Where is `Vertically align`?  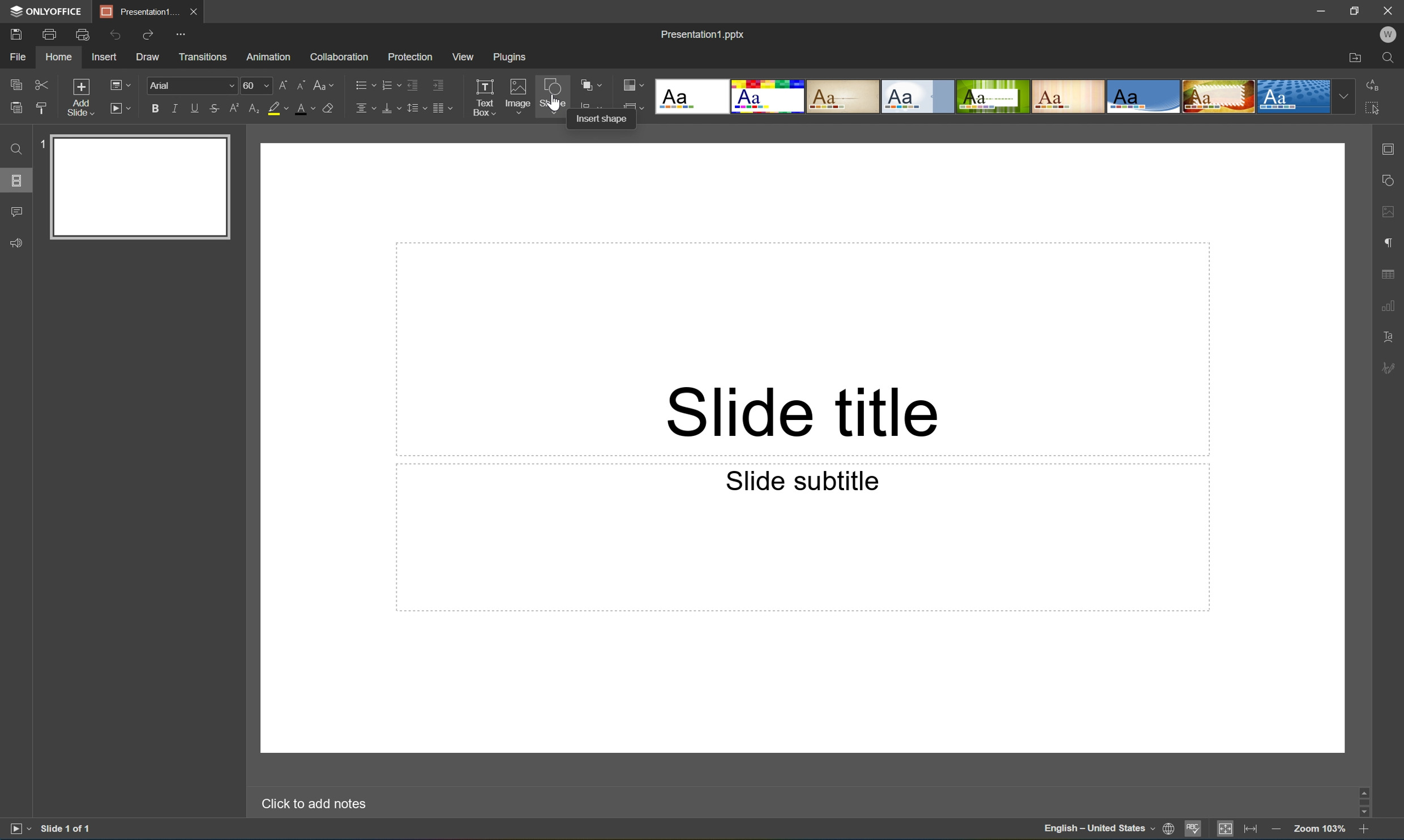
Vertically align is located at coordinates (389, 107).